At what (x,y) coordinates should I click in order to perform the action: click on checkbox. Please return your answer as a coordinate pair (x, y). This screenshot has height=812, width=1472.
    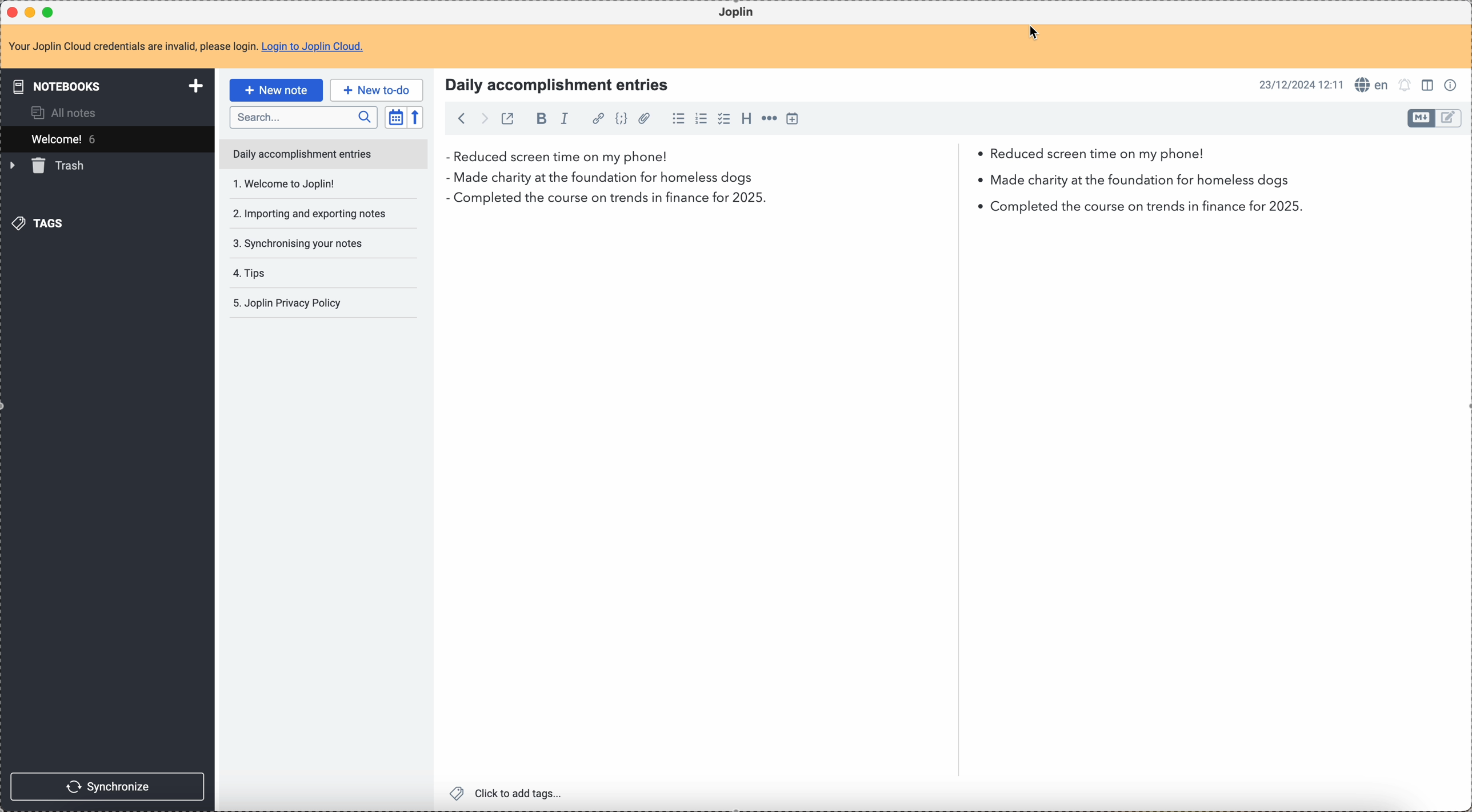
    Looking at the image, I should click on (725, 119).